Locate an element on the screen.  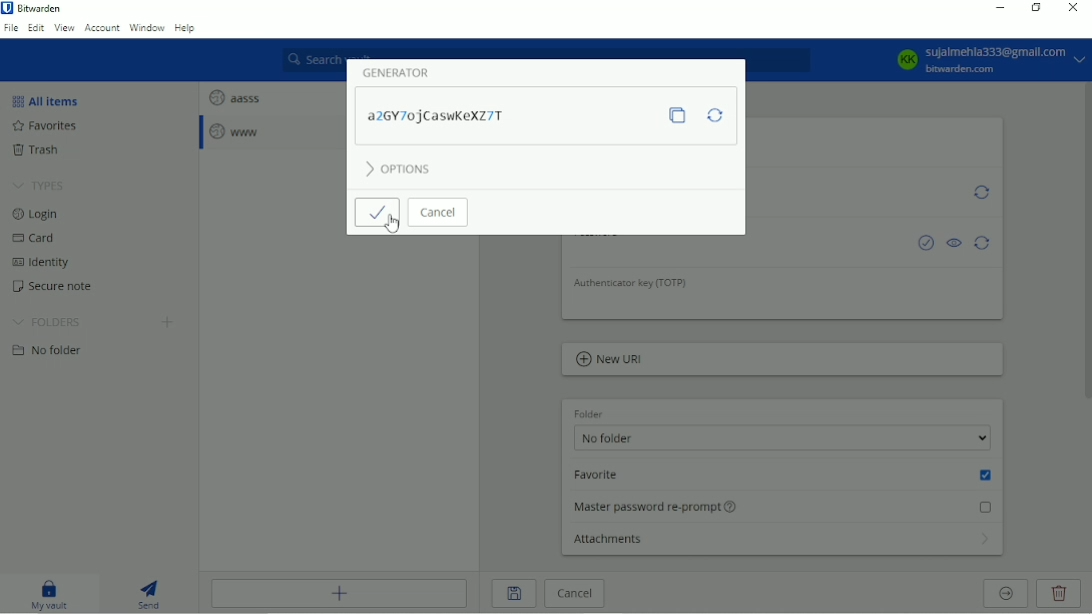
Restore down is located at coordinates (1037, 9).